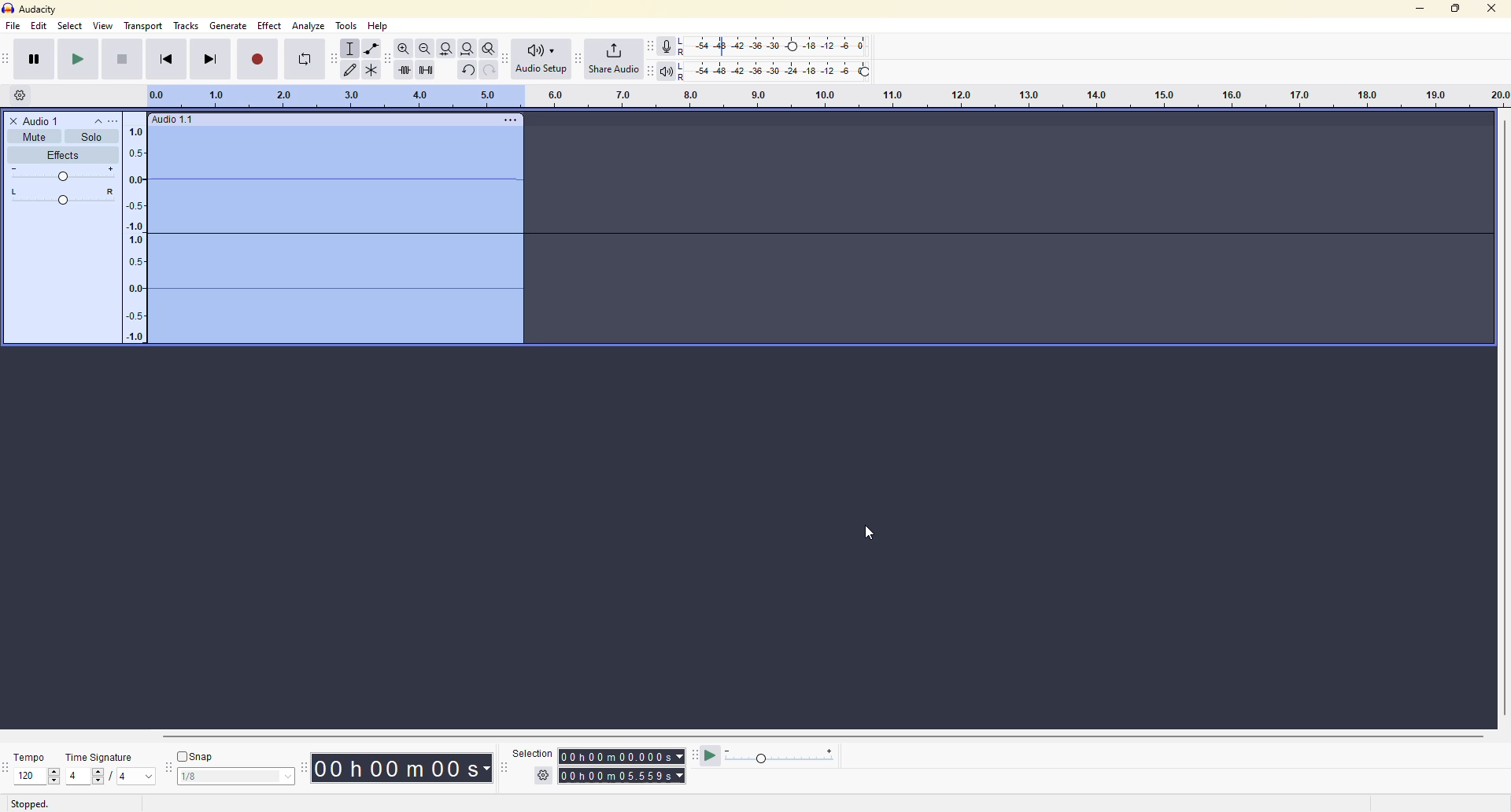 The height and width of the screenshot is (812, 1511). Describe the element at coordinates (668, 46) in the screenshot. I see `record meter` at that location.